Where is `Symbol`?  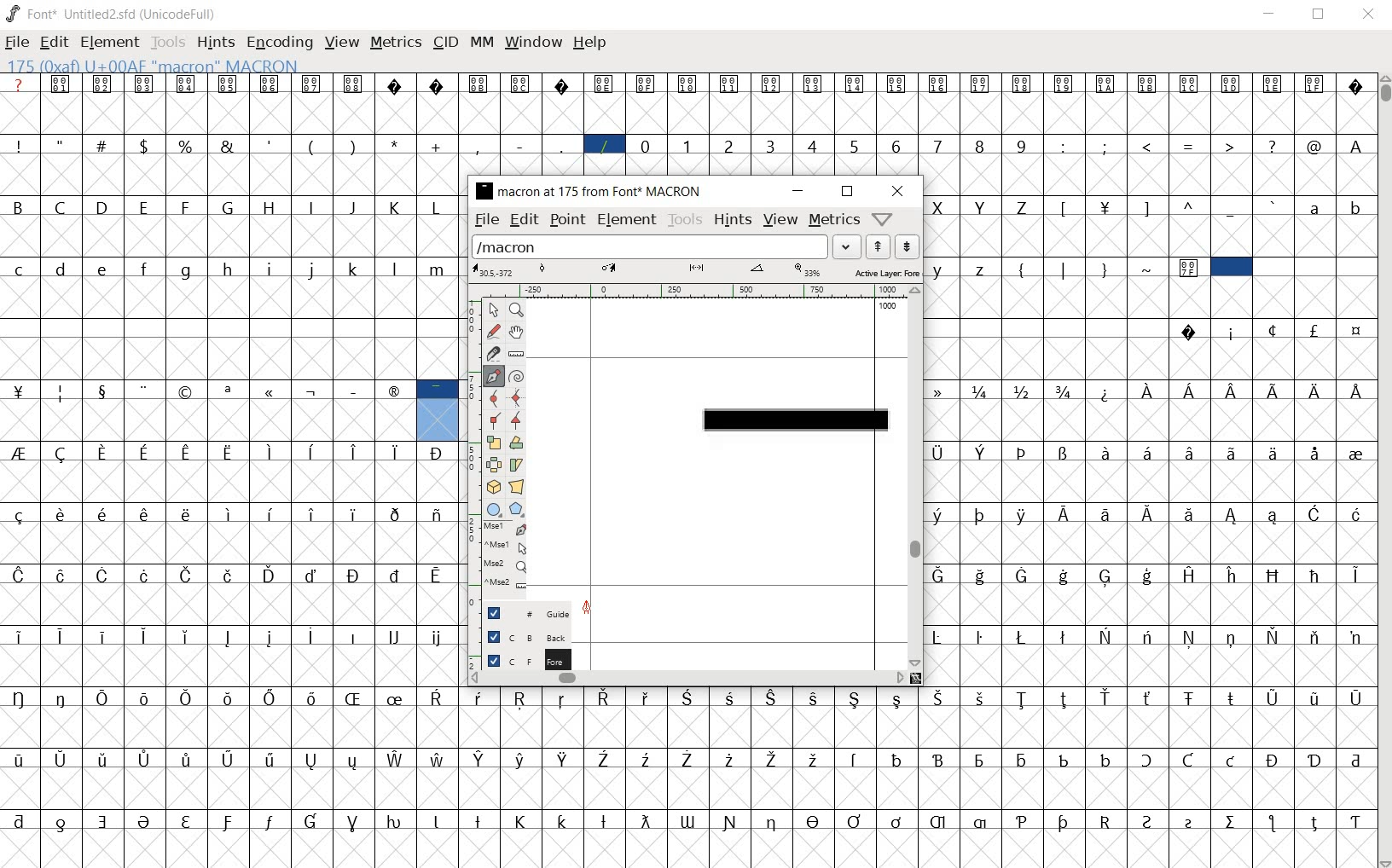 Symbol is located at coordinates (1023, 818).